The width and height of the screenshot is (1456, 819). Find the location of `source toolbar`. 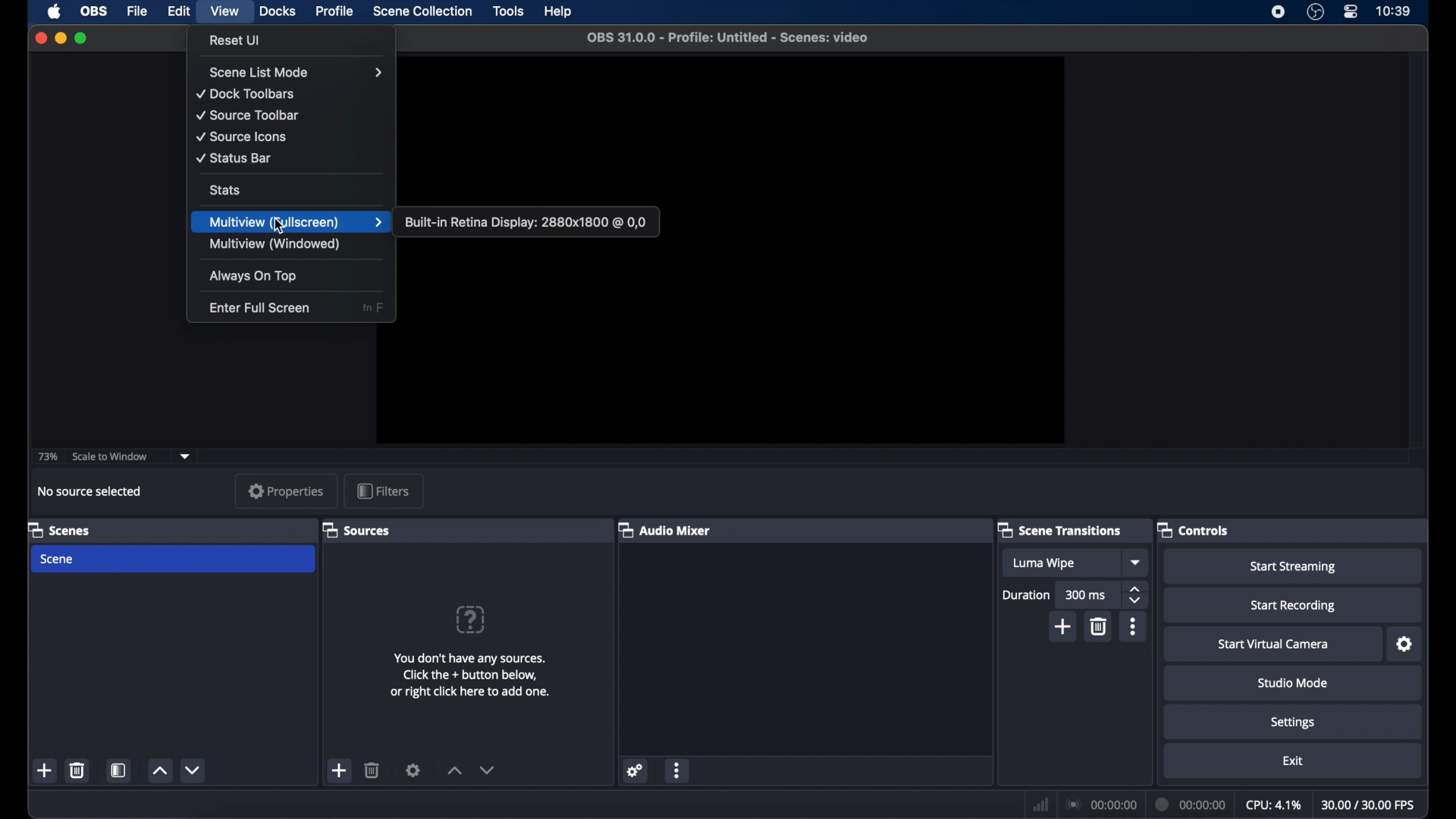

source toolbar is located at coordinates (249, 115).